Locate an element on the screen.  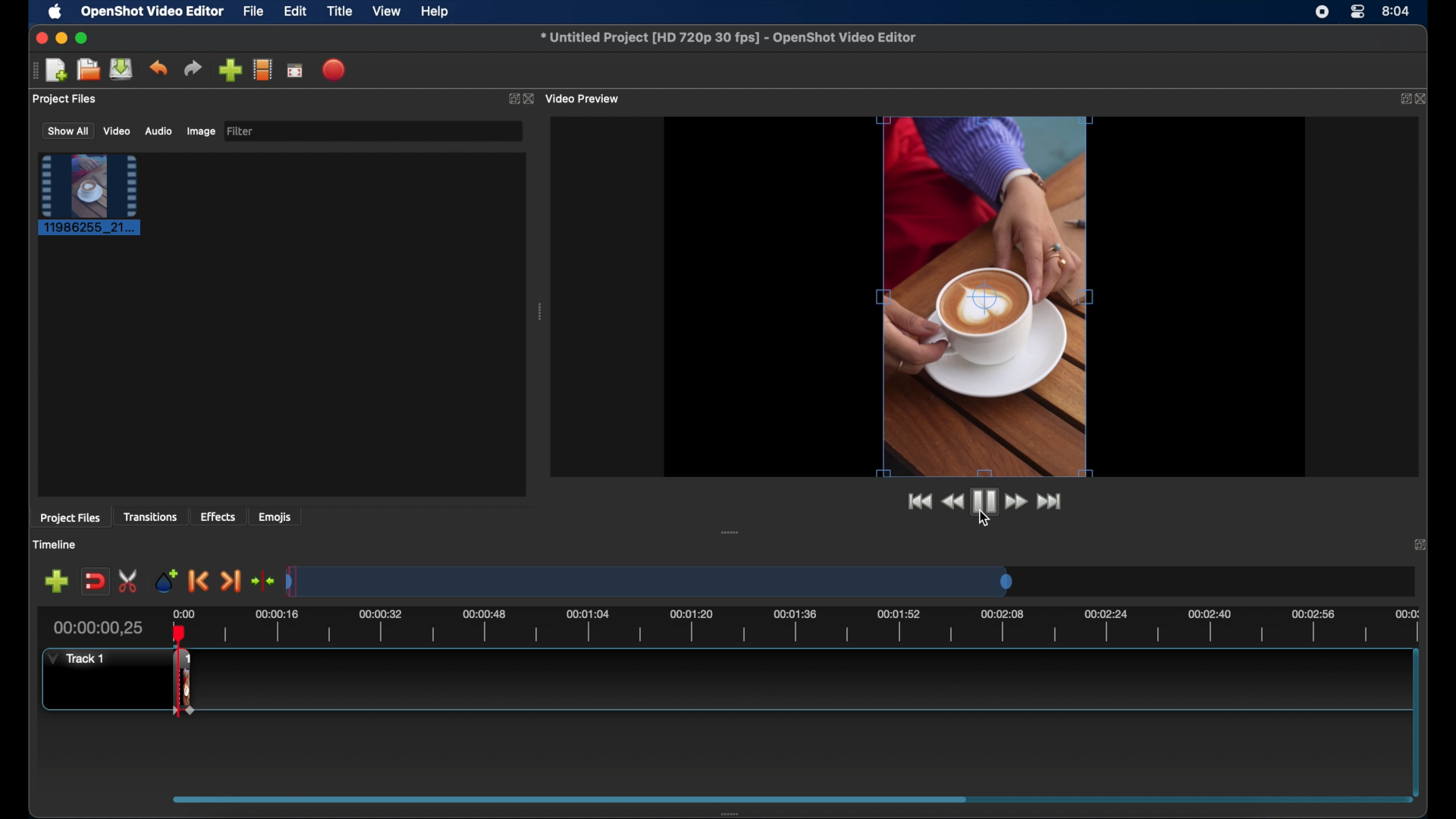
file name is located at coordinates (728, 36).